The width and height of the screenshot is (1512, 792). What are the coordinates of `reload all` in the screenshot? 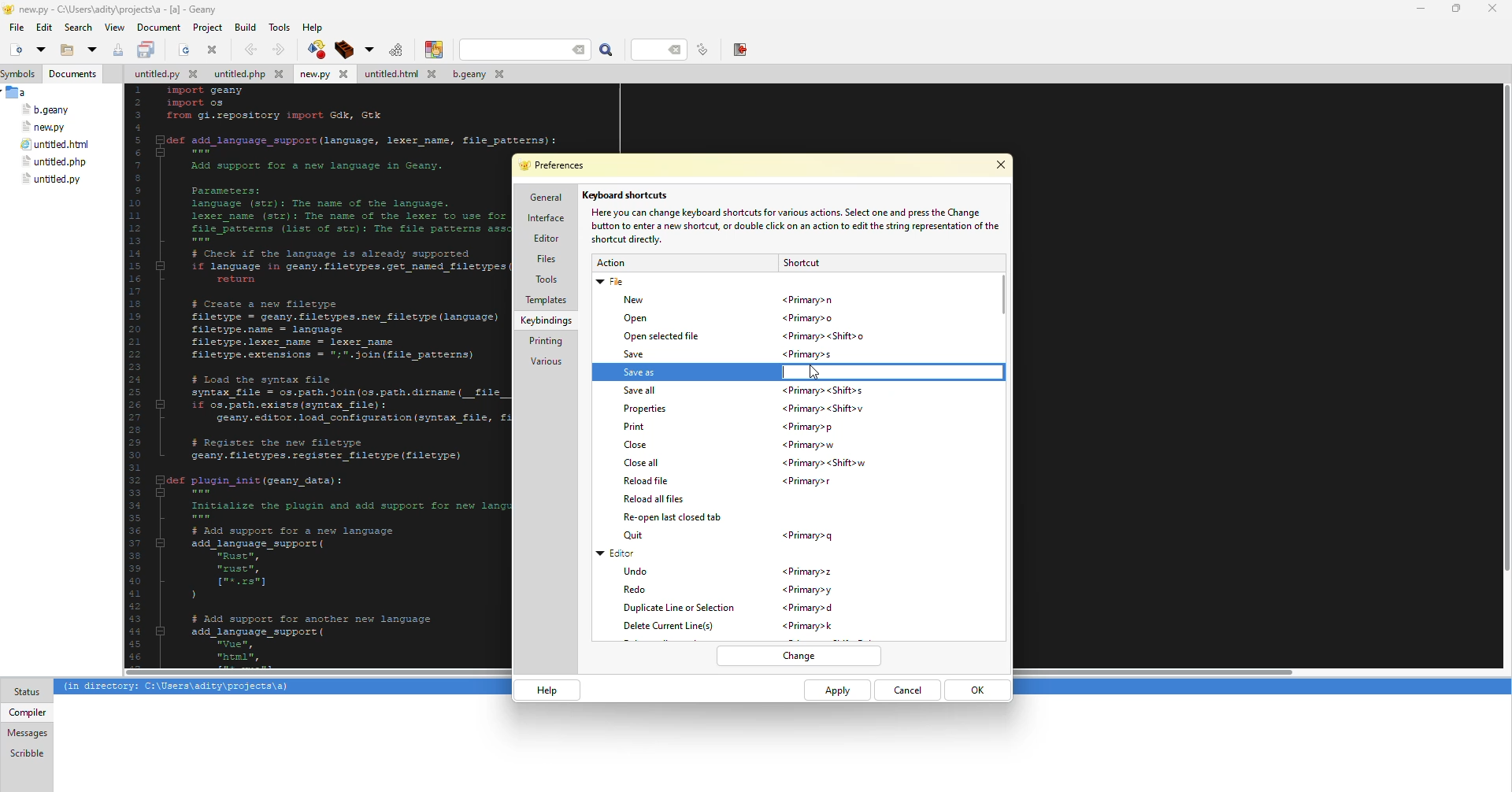 It's located at (652, 499).